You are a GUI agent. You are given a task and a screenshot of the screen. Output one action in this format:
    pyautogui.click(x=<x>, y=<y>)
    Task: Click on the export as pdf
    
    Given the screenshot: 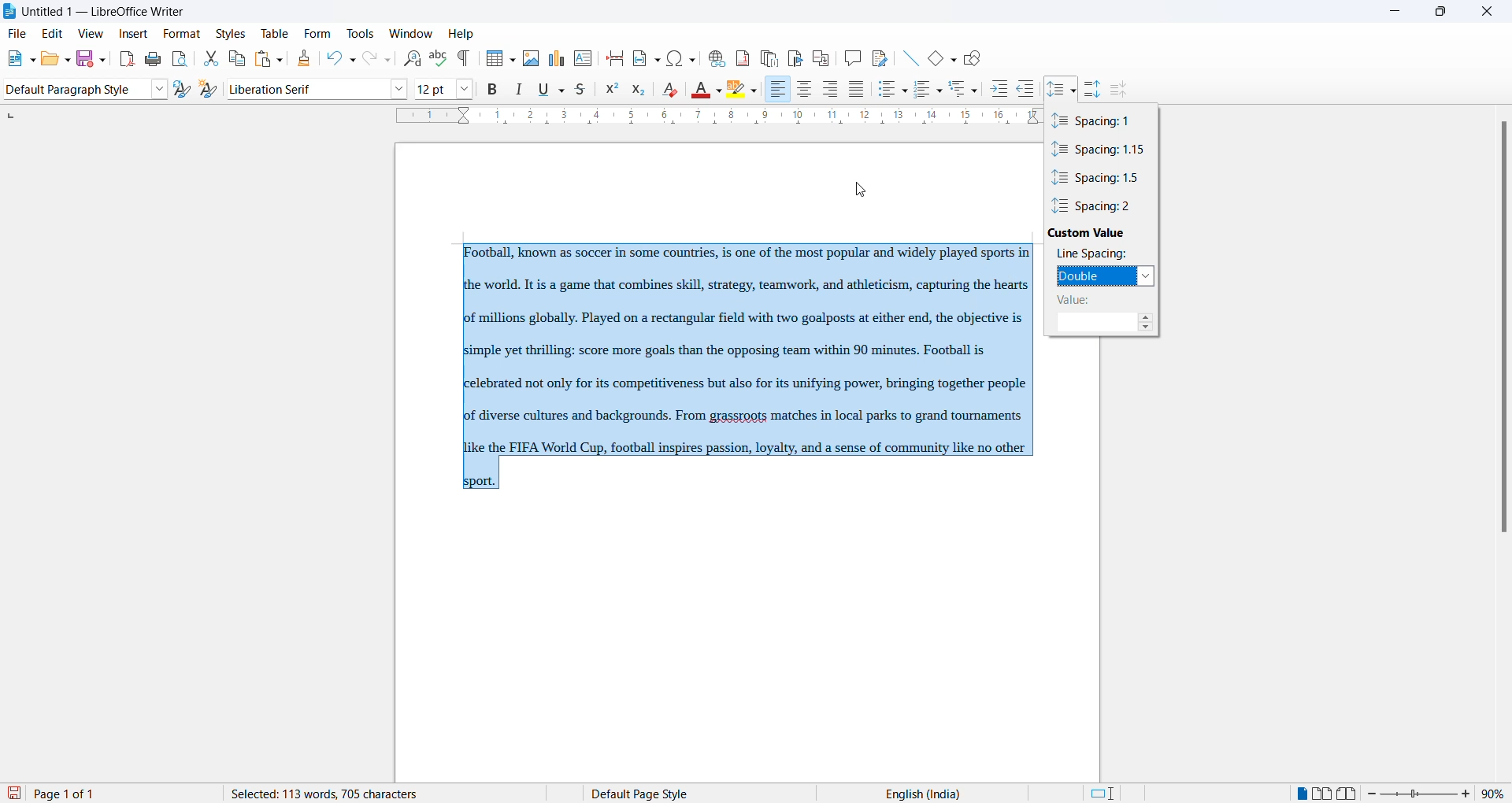 What is the action you would take?
    pyautogui.click(x=124, y=59)
    